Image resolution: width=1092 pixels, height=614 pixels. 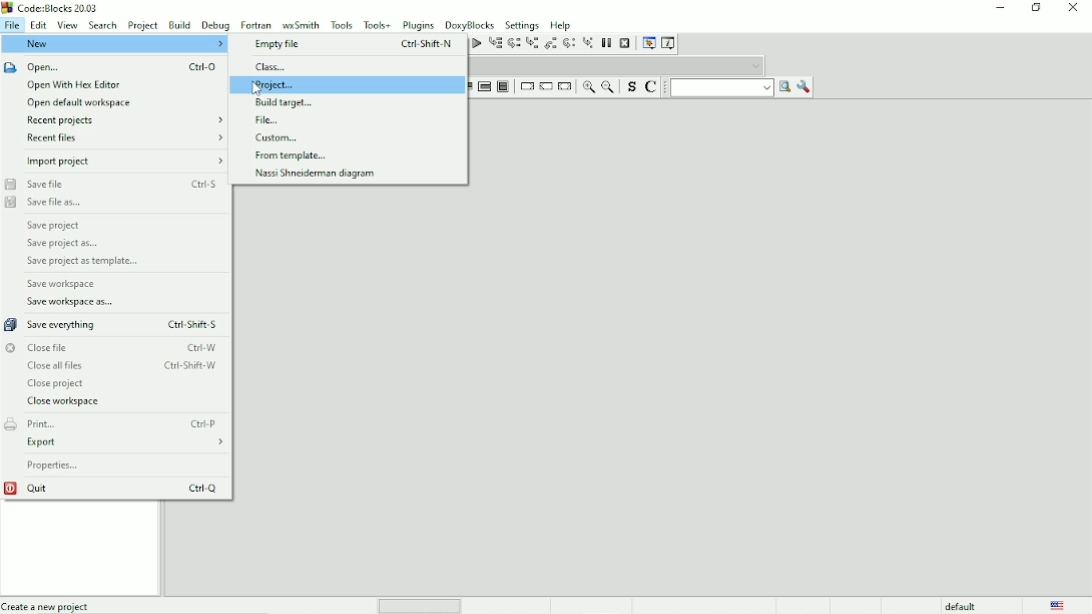 I want to click on Step into, so click(x=531, y=44).